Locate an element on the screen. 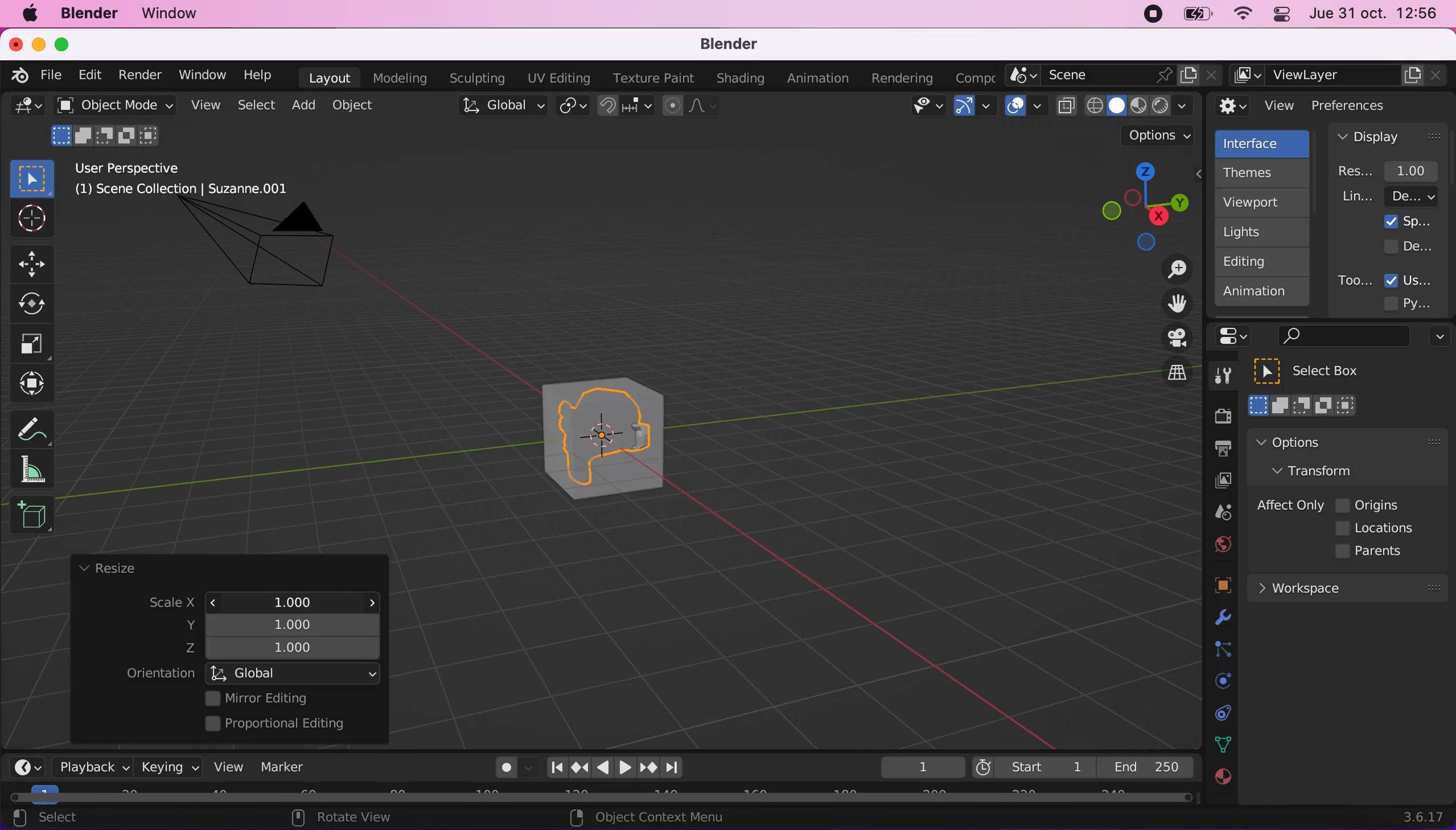 Image resolution: width=1456 pixels, height=830 pixels. end 250 is located at coordinates (1145, 766).